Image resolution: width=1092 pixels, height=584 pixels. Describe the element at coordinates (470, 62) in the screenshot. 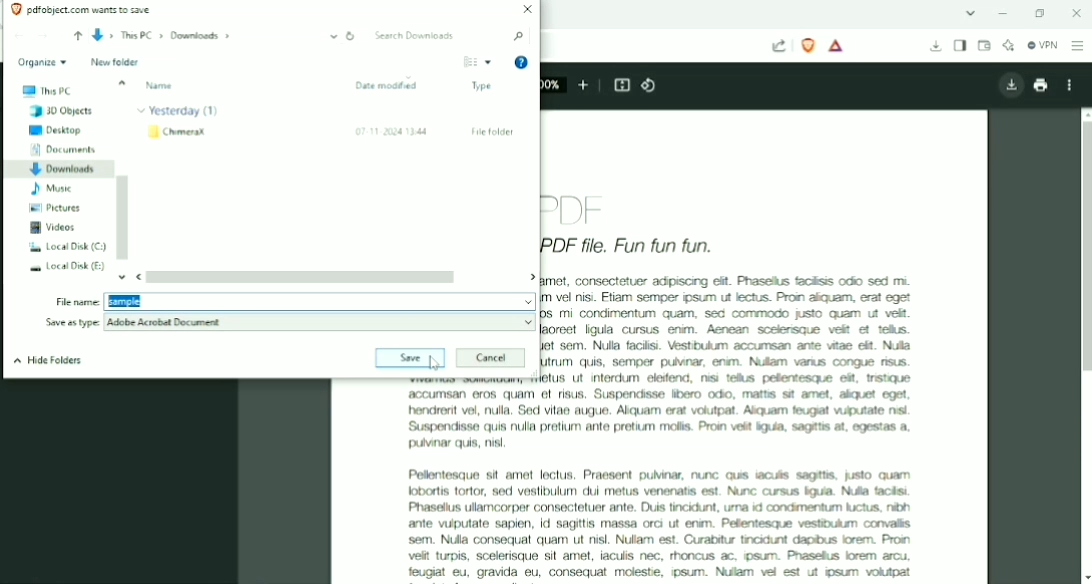

I see `Change your view` at that location.